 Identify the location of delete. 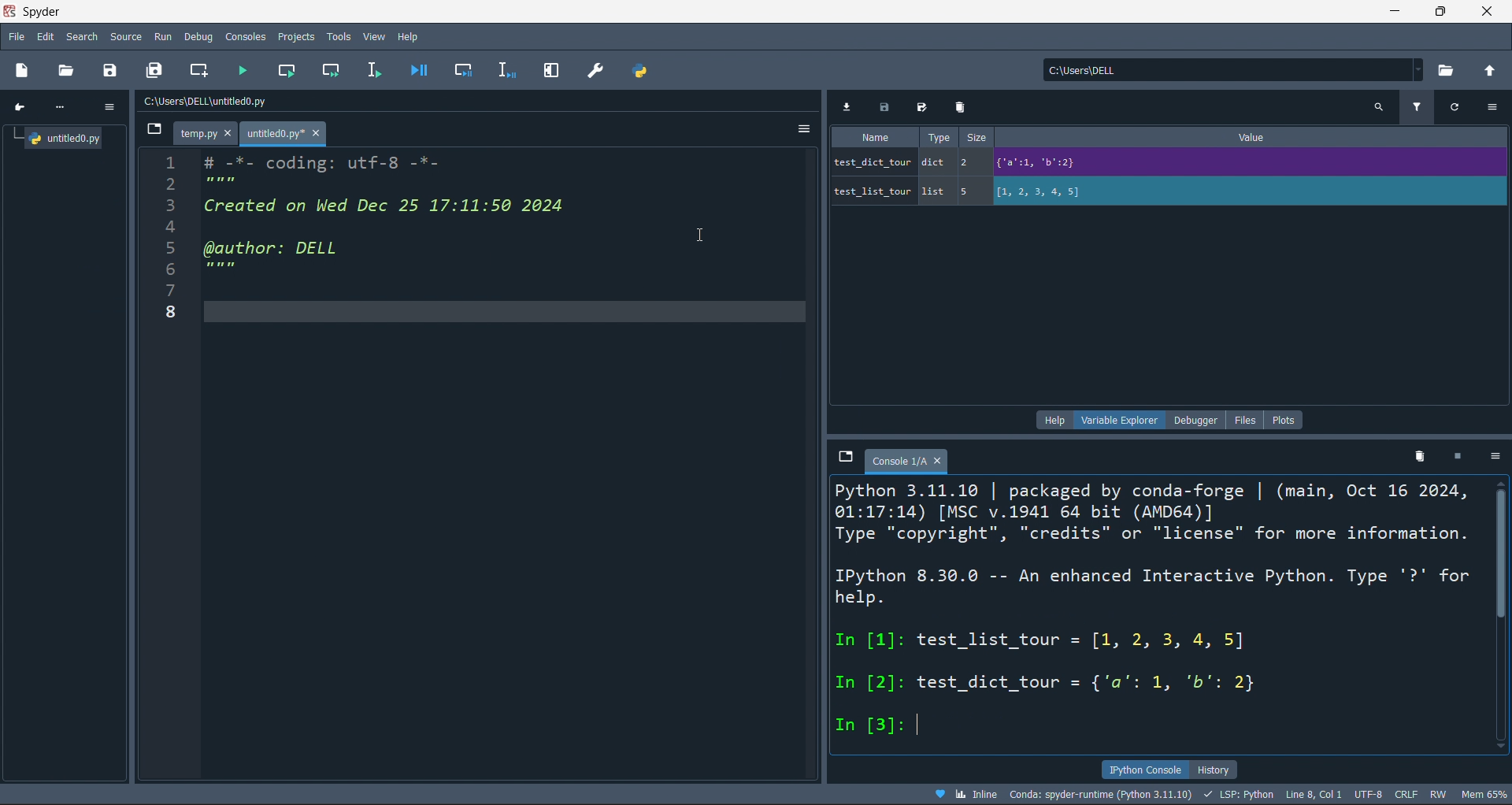
(1417, 457).